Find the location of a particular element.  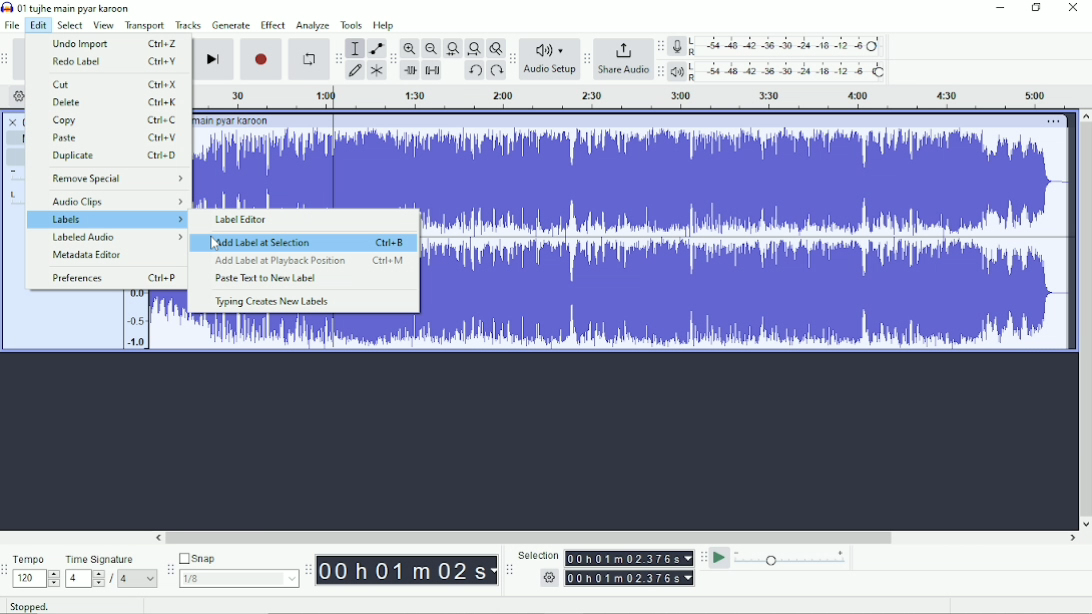

Tracks is located at coordinates (189, 25).